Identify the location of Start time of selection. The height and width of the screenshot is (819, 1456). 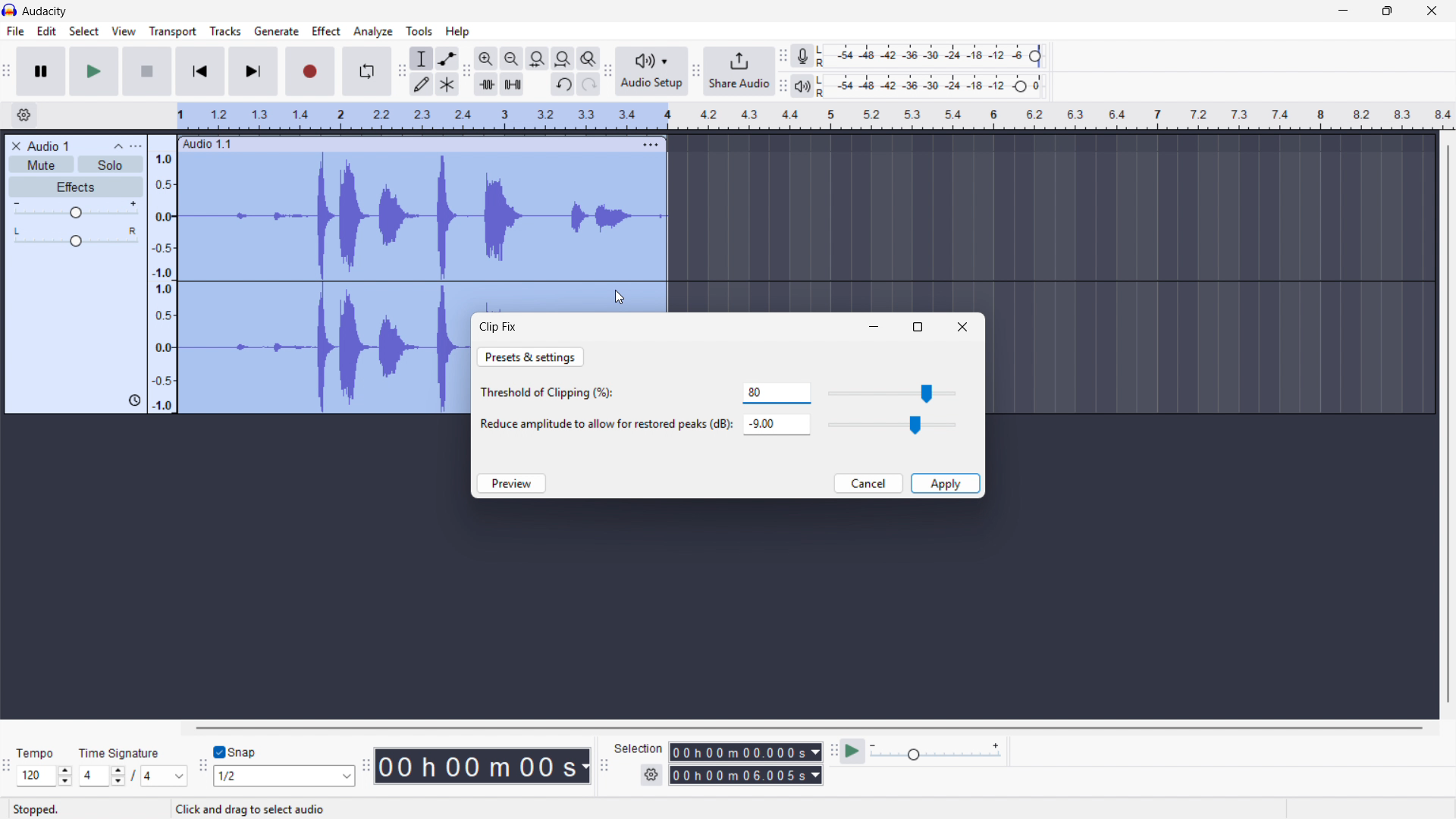
(745, 752).